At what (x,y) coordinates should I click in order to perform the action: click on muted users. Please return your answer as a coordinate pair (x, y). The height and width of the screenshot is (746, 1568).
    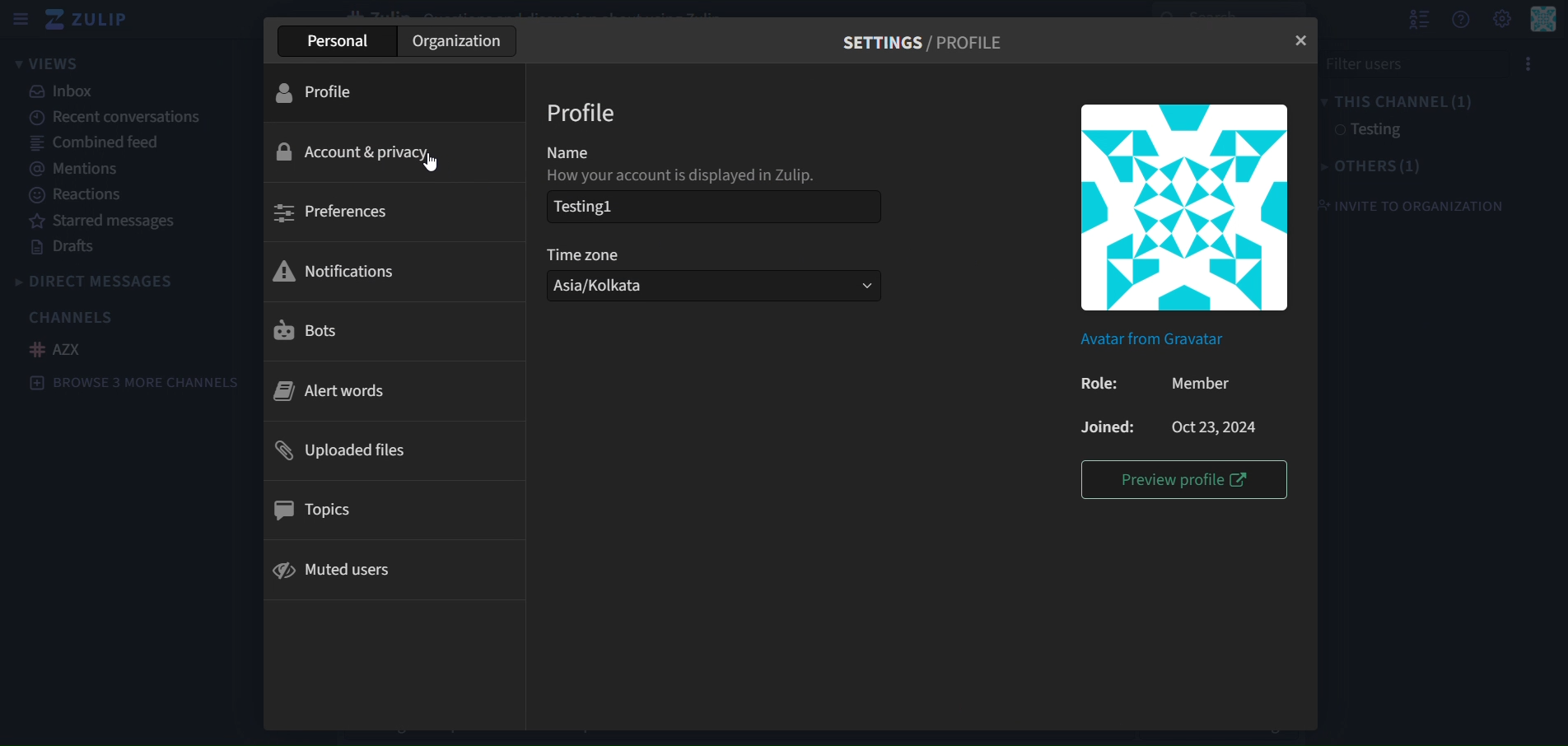
    Looking at the image, I should click on (335, 569).